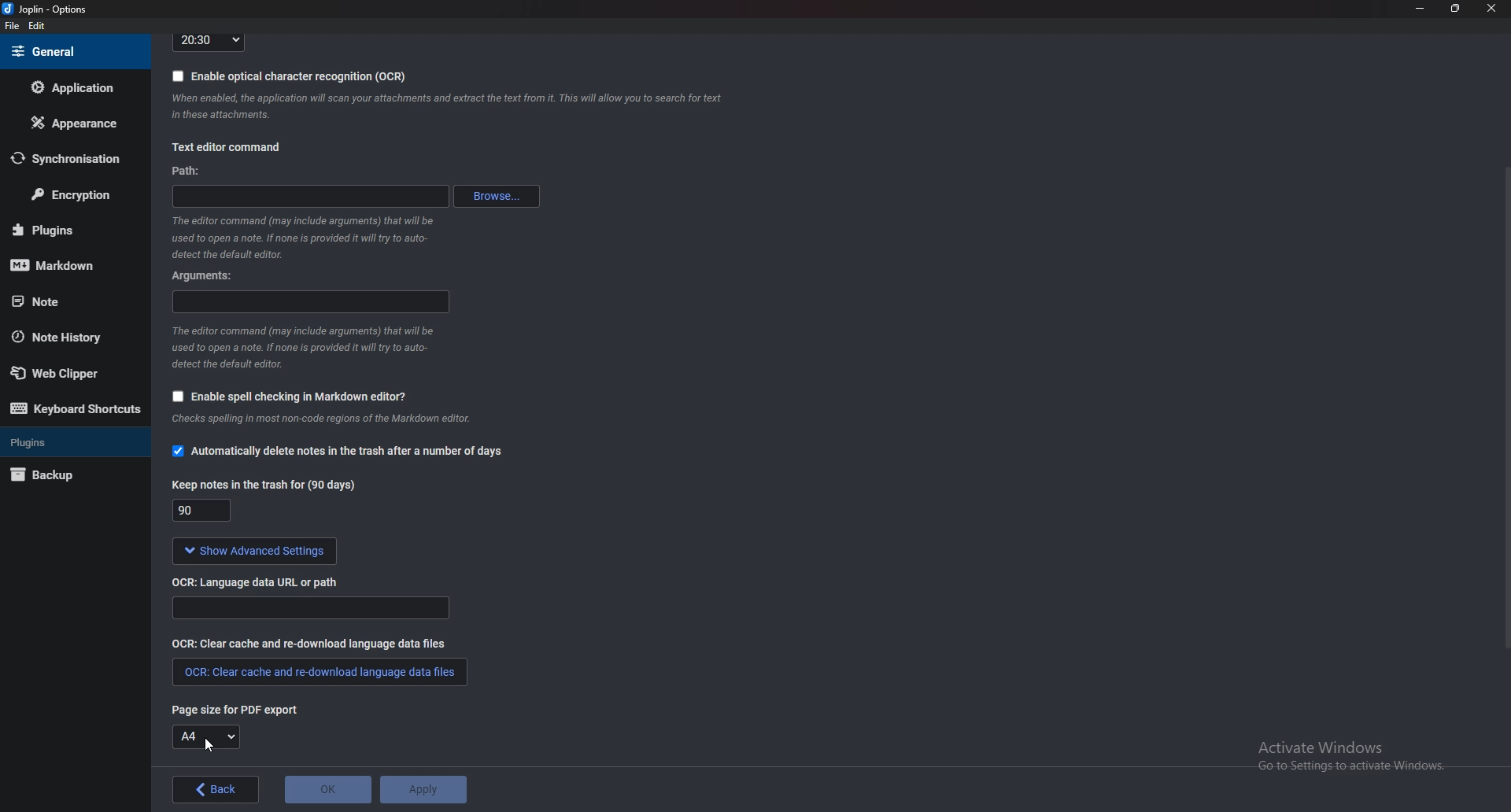 Image resolution: width=1511 pixels, height=812 pixels. What do you see at coordinates (298, 237) in the screenshot?
I see `Info on editor command` at bounding box center [298, 237].